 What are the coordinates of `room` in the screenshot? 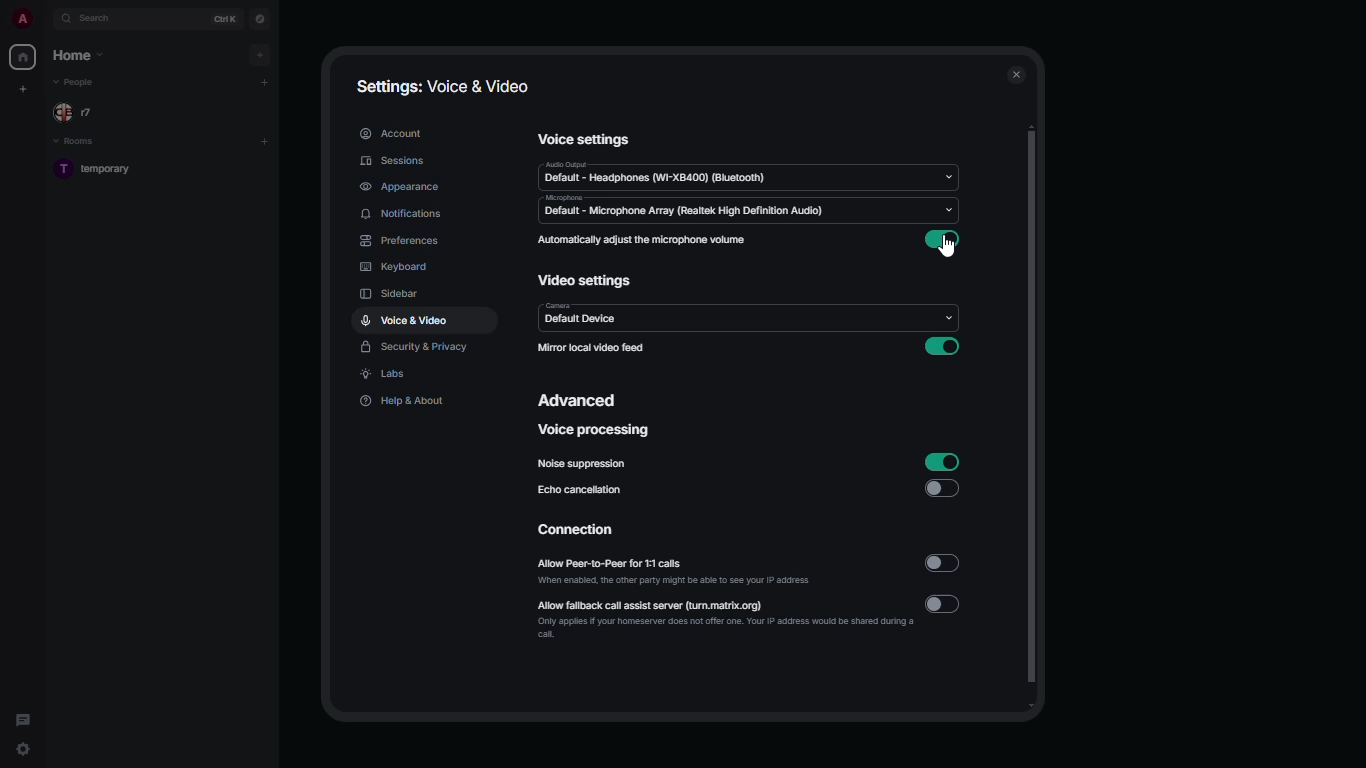 It's located at (99, 168).